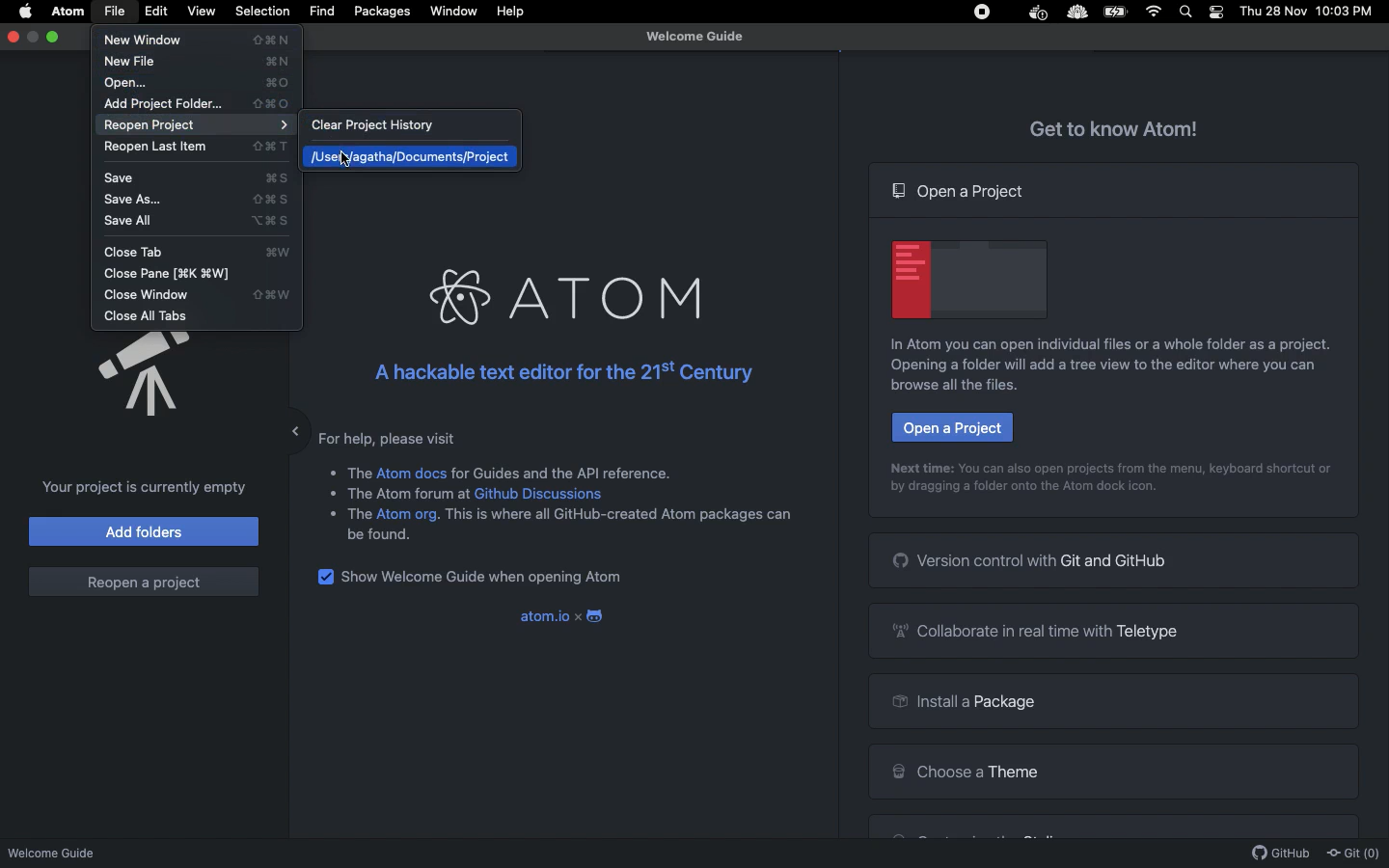 Image resolution: width=1389 pixels, height=868 pixels. I want to click on Show welcome guide when opening Atom, so click(486, 579).